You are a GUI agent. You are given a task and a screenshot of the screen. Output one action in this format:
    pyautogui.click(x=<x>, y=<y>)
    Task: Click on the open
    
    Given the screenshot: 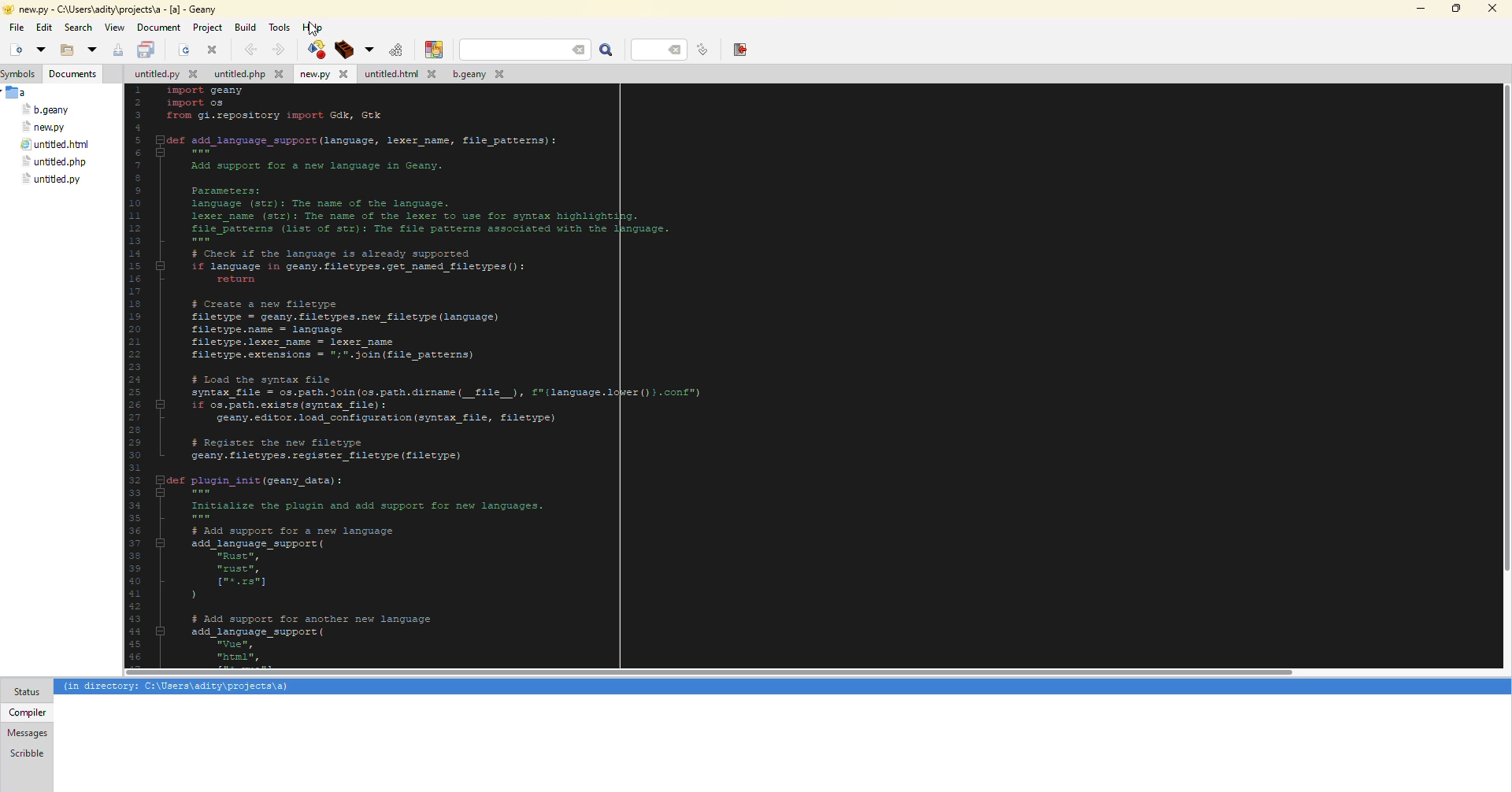 What is the action you would take?
    pyautogui.click(x=184, y=51)
    